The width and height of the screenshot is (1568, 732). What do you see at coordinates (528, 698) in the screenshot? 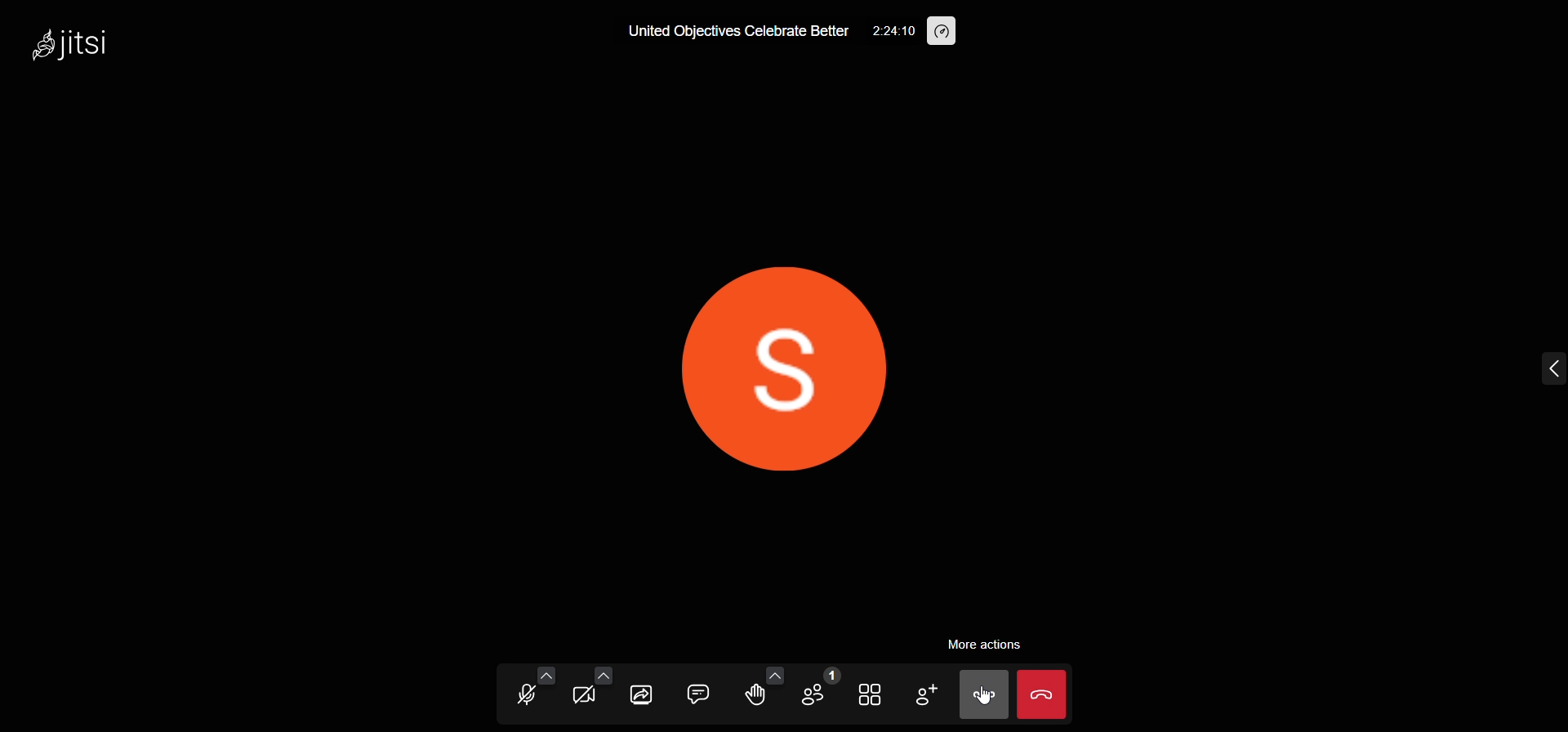
I see `microphone ` at bounding box center [528, 698].